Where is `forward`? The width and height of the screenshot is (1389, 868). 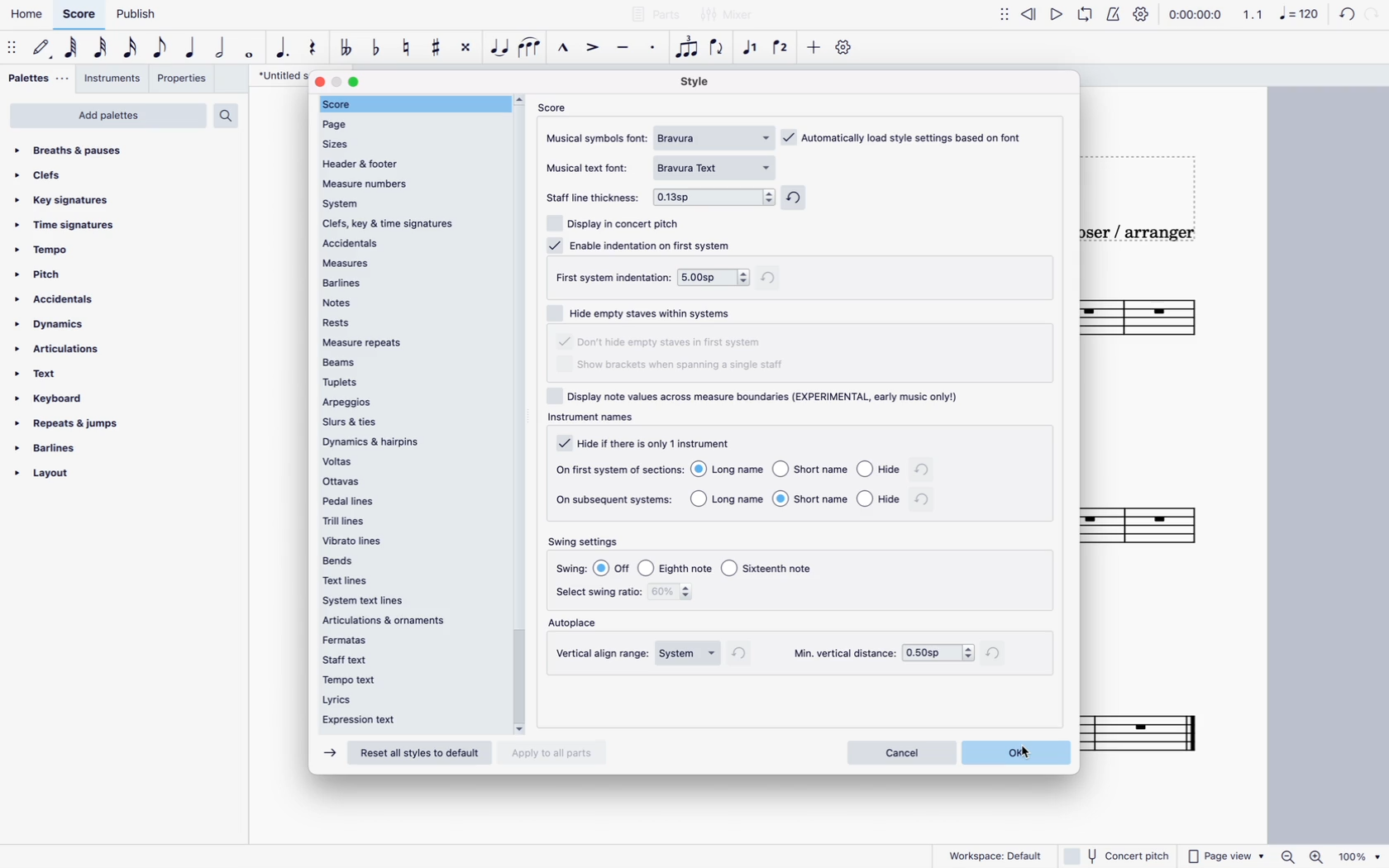 forward is located at coordinates (329, 754).